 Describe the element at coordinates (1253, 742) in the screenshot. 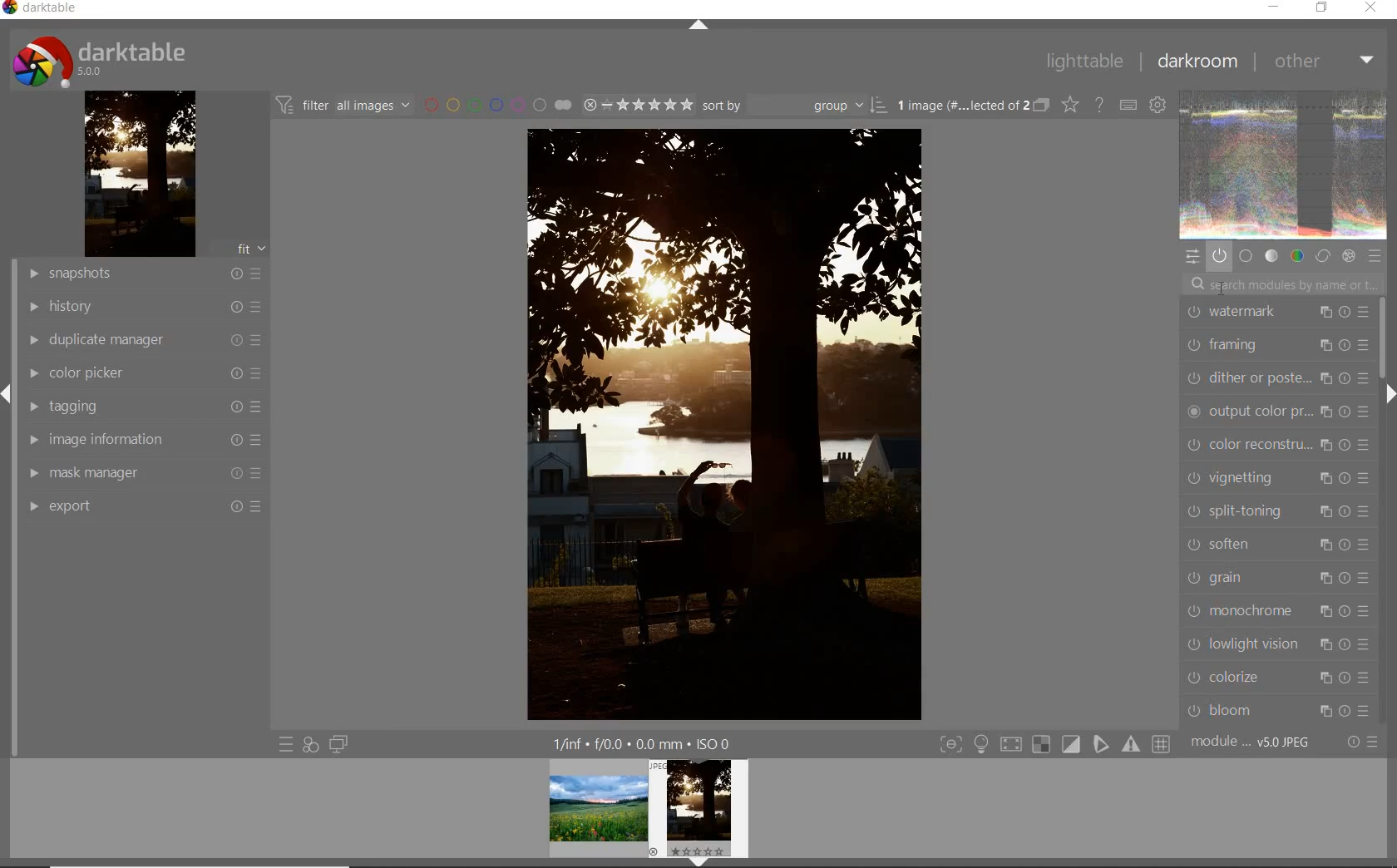

I see `module... v5.0 JPEG` at that location.